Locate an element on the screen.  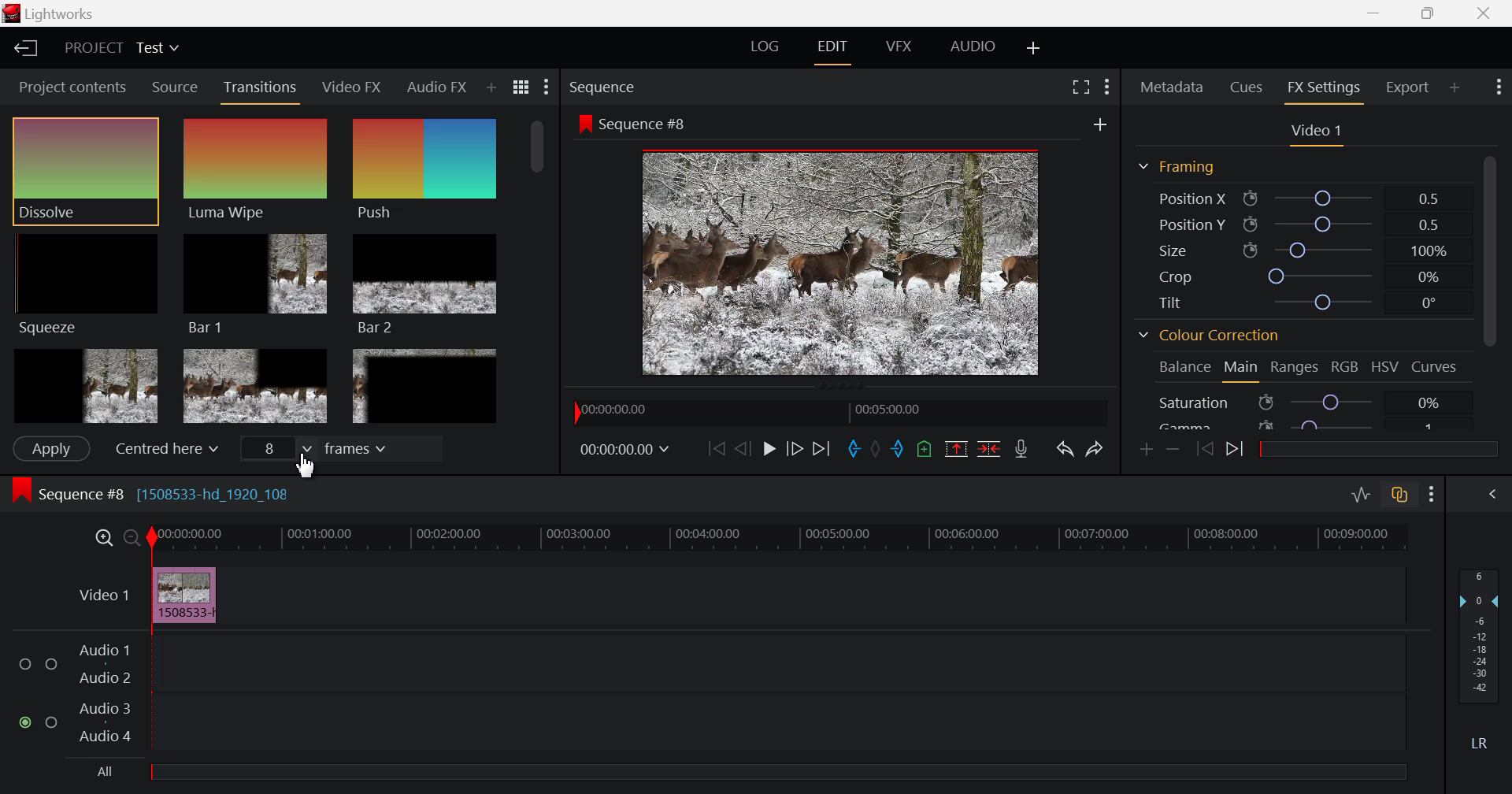
Centered here is located at coordinates (165, 447).